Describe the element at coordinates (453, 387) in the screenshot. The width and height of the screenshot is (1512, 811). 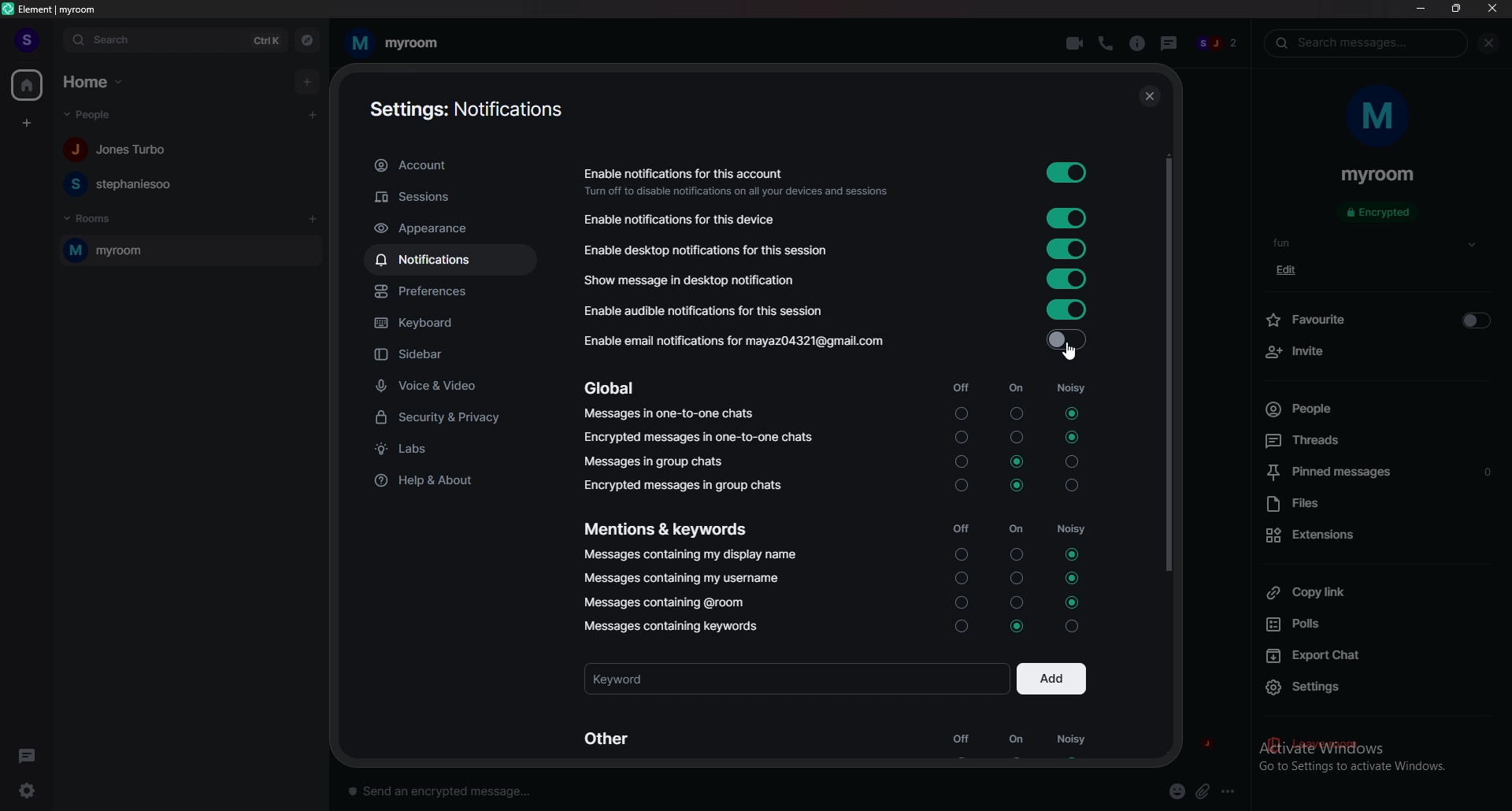
I see `voice and video` at that location.